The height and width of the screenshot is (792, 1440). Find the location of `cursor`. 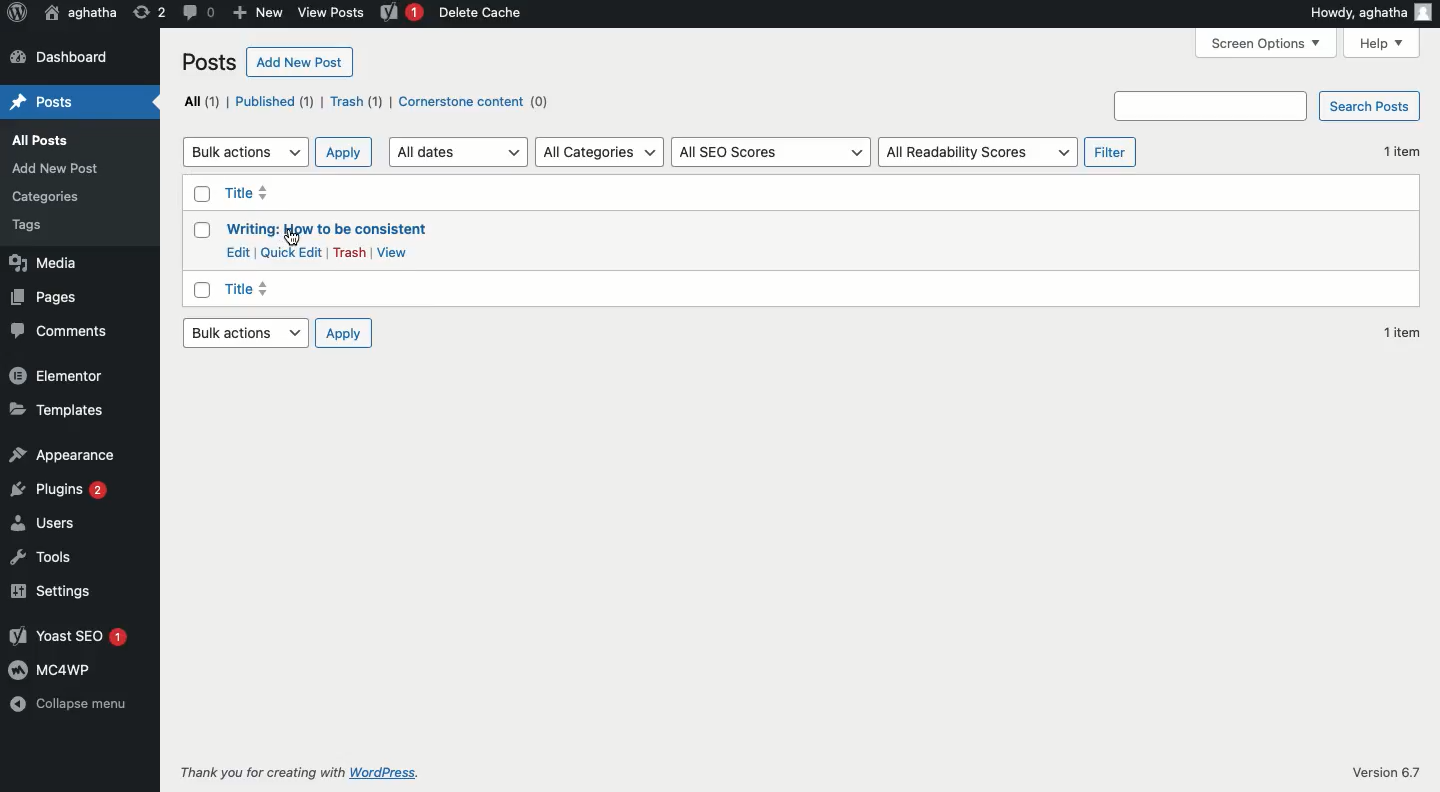

cursor is located at coordinates (292, 239).